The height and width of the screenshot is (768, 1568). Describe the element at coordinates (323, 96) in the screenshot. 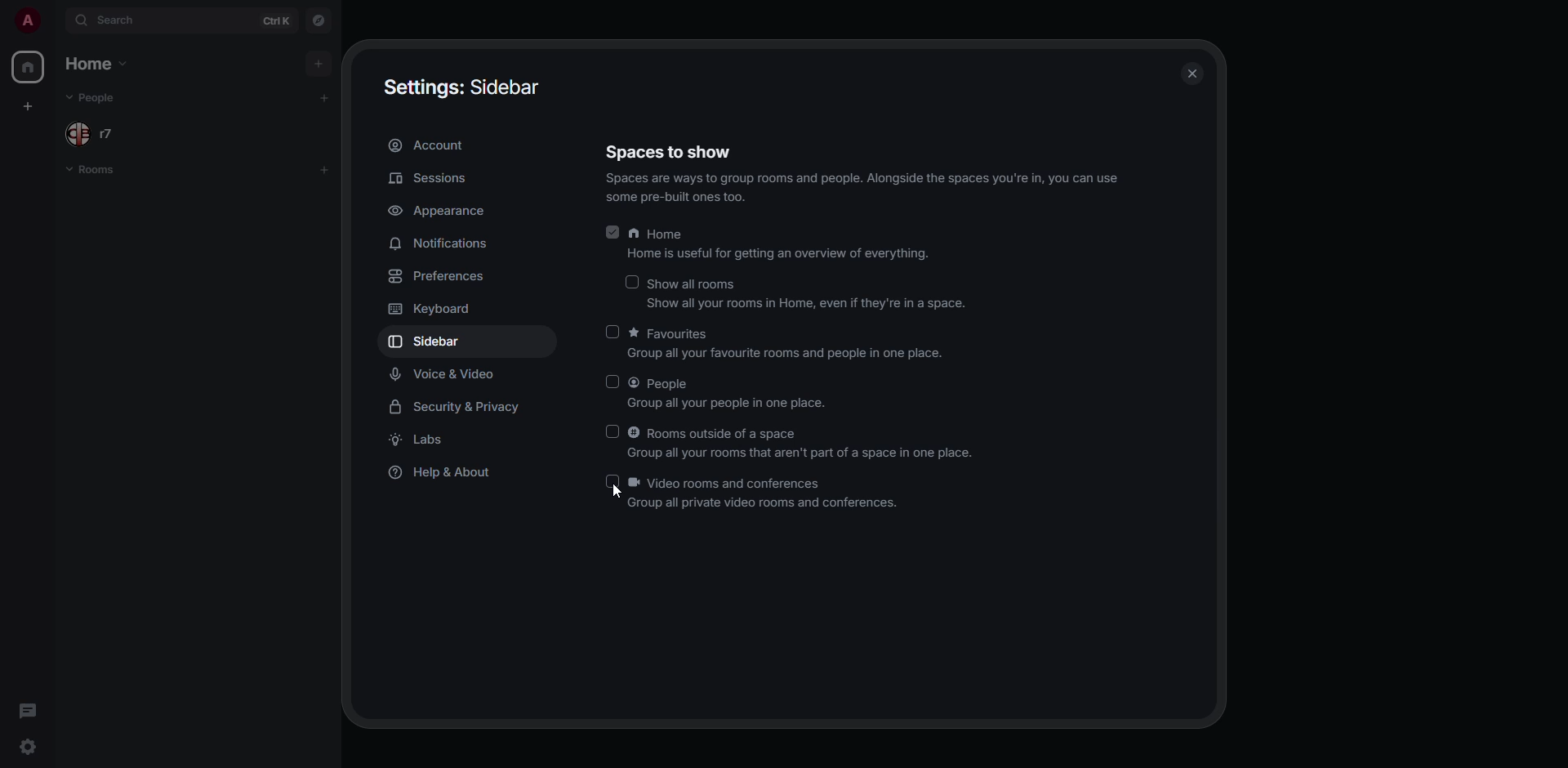

I see `add` at that location.